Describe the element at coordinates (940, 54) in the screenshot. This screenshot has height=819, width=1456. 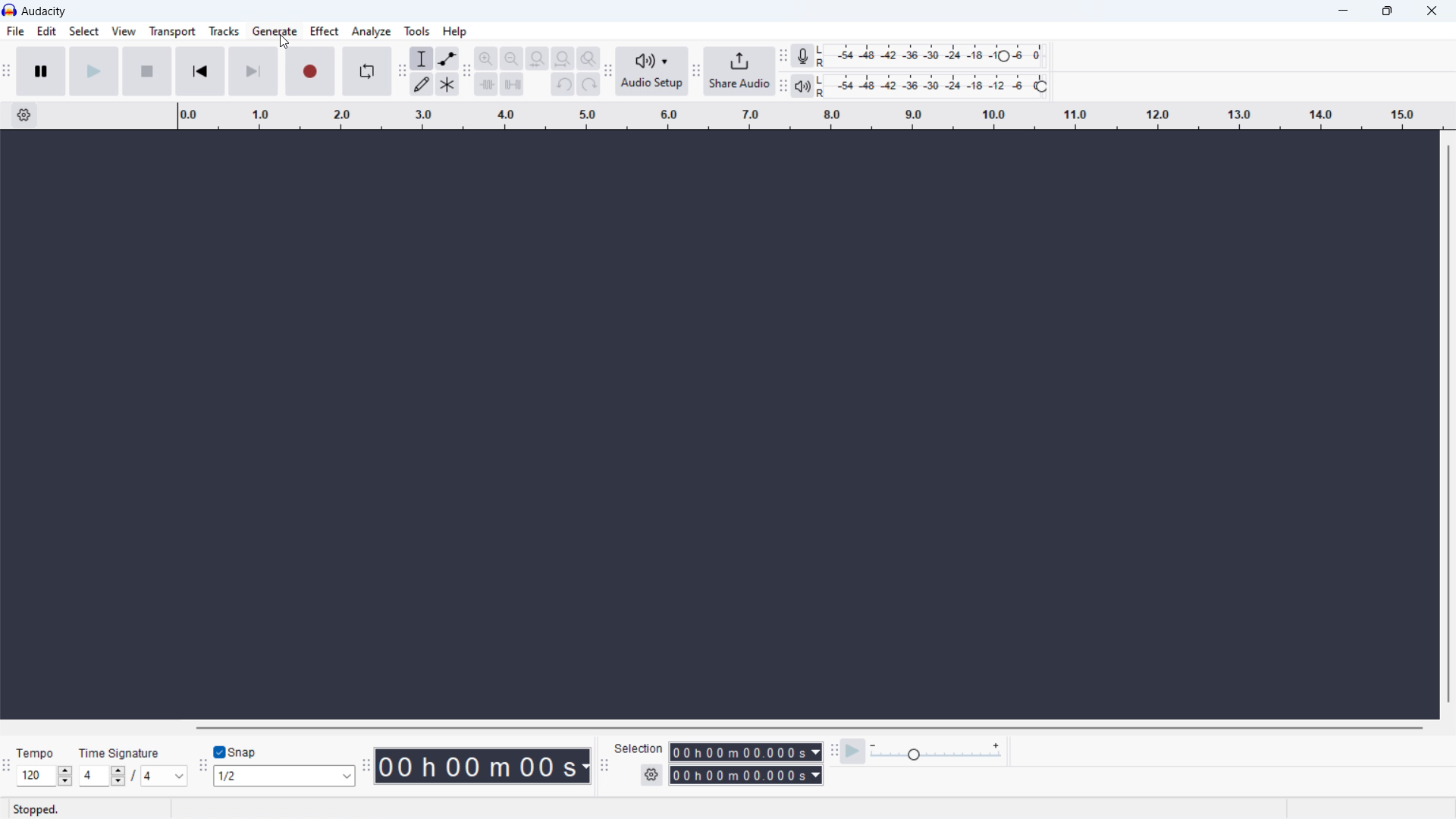
I see `recording level` at that location.